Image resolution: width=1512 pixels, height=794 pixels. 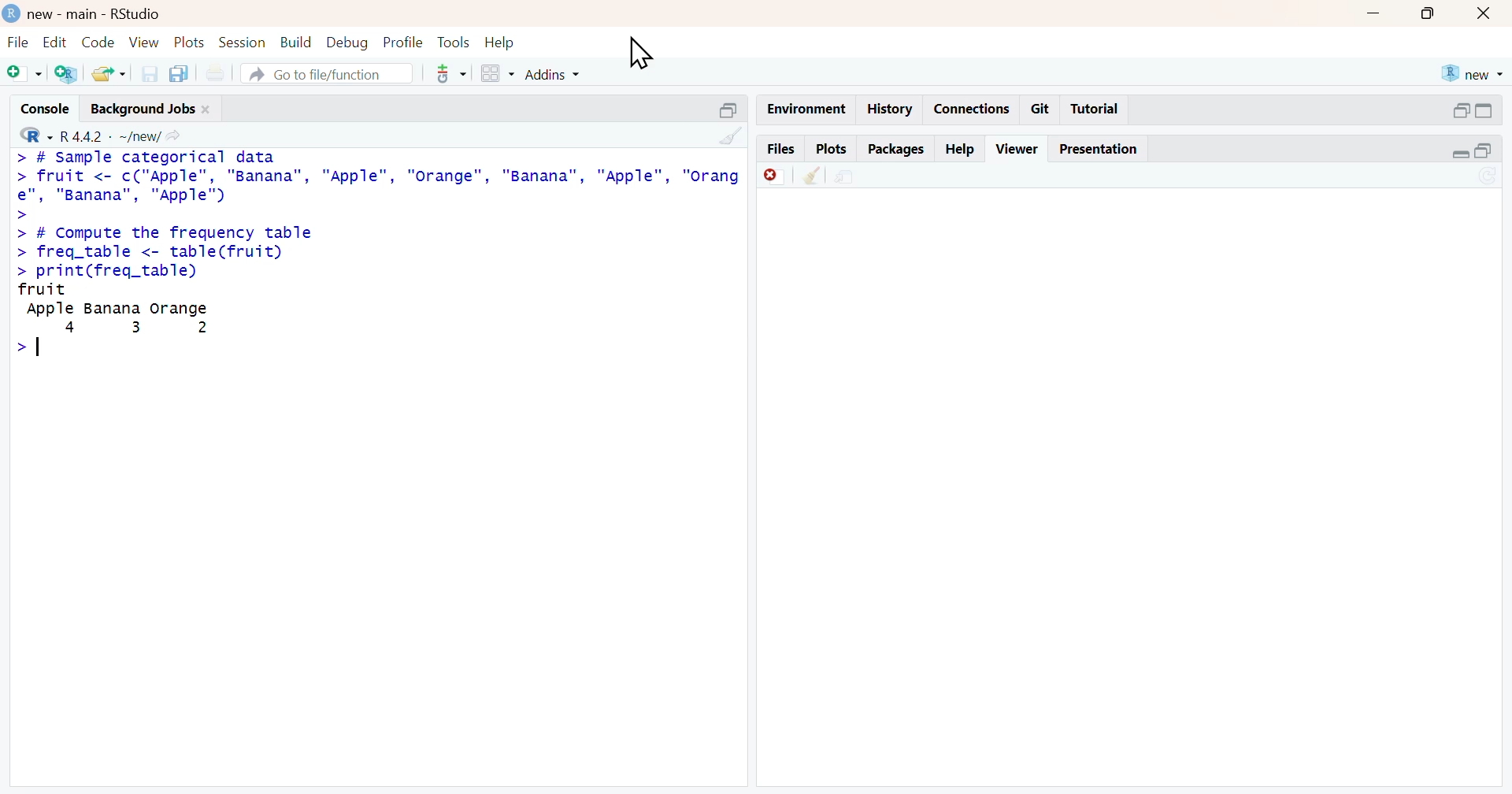 What do you see at coordinates (372, 214) in the screenshot?
I see `> # sample categorical data datafruit <- c("Apple"”, "Banana", "Apple", "Orange", "Banana", "Apple",rordpe" “Banana”, "Apple")# Compute the frequency tablefreq_table <- table(fruit) > print (freq_table)` at bounding box center [372, 214].